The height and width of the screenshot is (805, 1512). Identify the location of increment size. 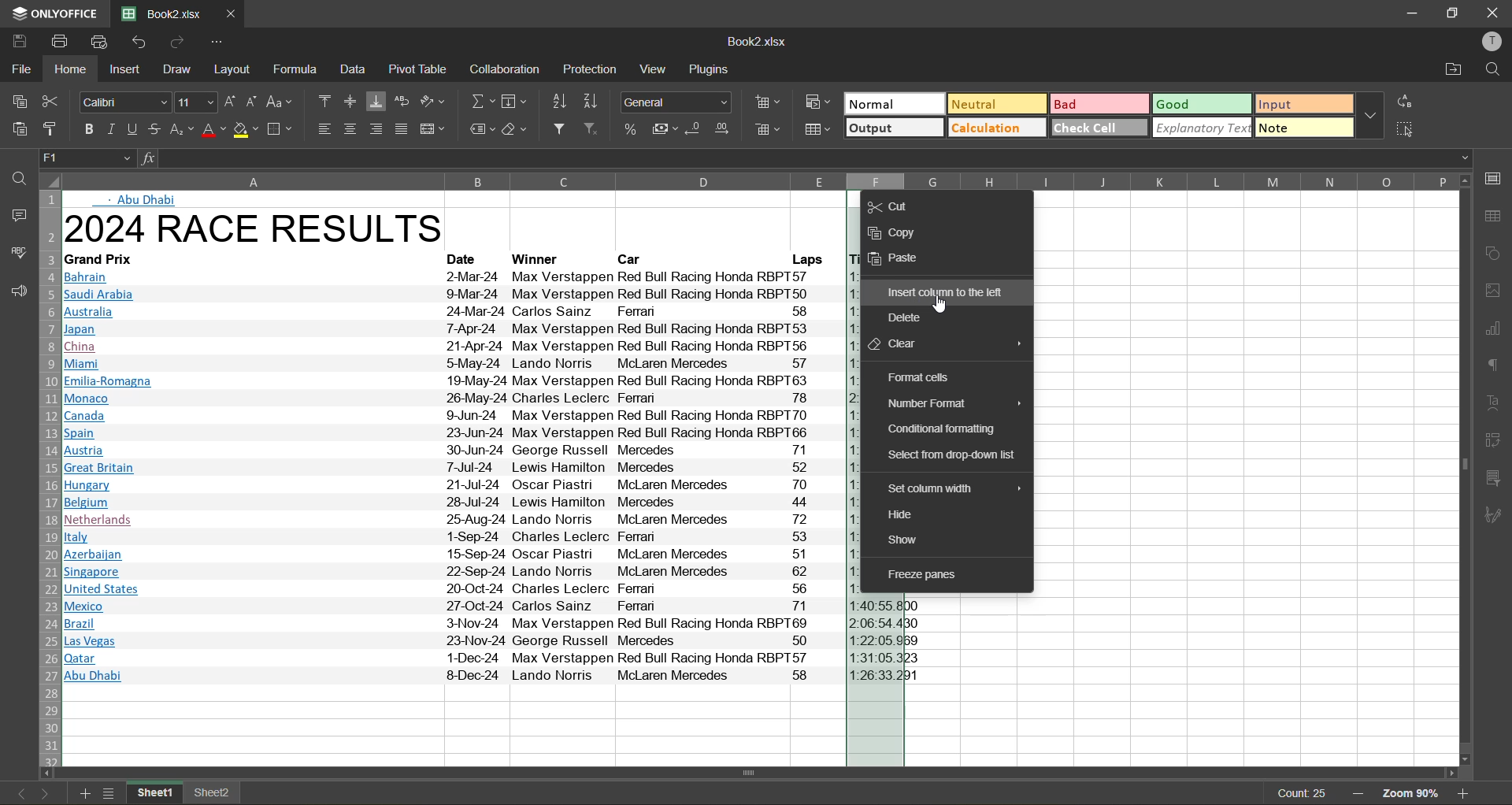
(232, 102).